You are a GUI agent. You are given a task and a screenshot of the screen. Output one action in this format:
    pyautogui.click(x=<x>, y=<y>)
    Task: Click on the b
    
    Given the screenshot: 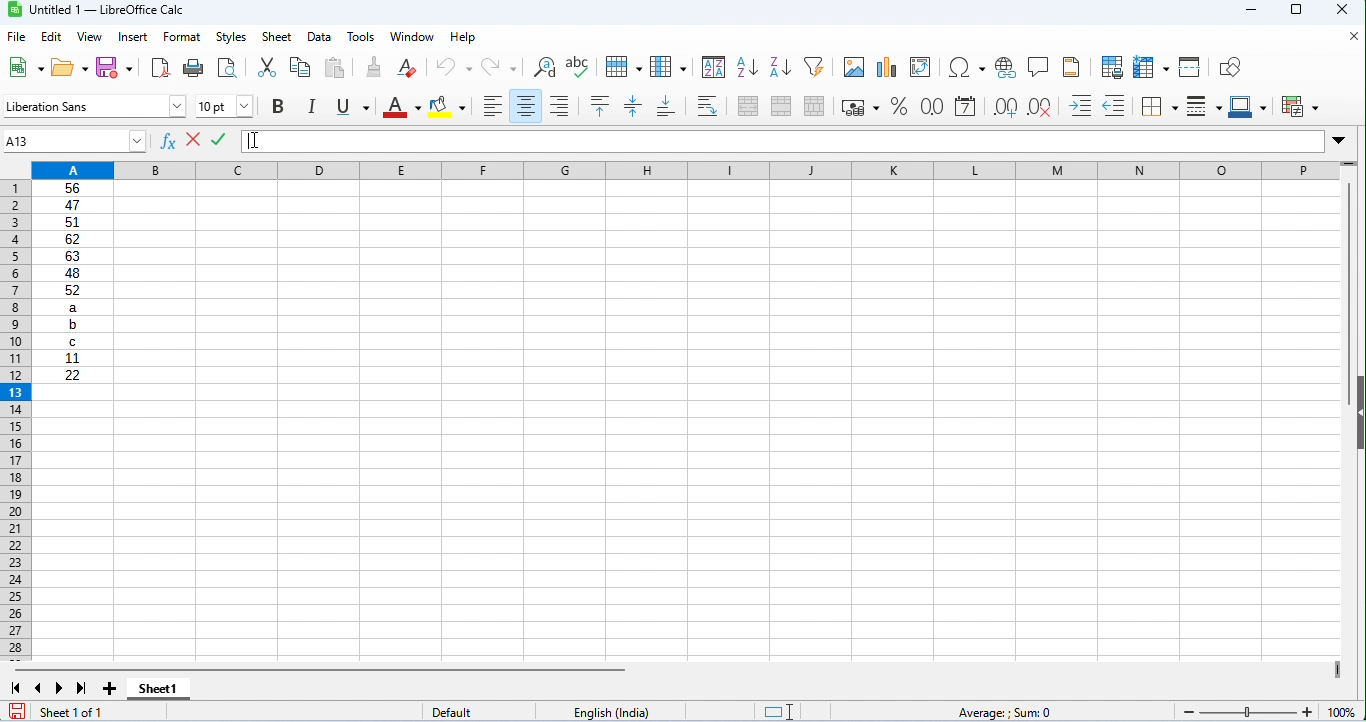 What is the action you would take?
    pyautogui.click(x=72, y=325)
    